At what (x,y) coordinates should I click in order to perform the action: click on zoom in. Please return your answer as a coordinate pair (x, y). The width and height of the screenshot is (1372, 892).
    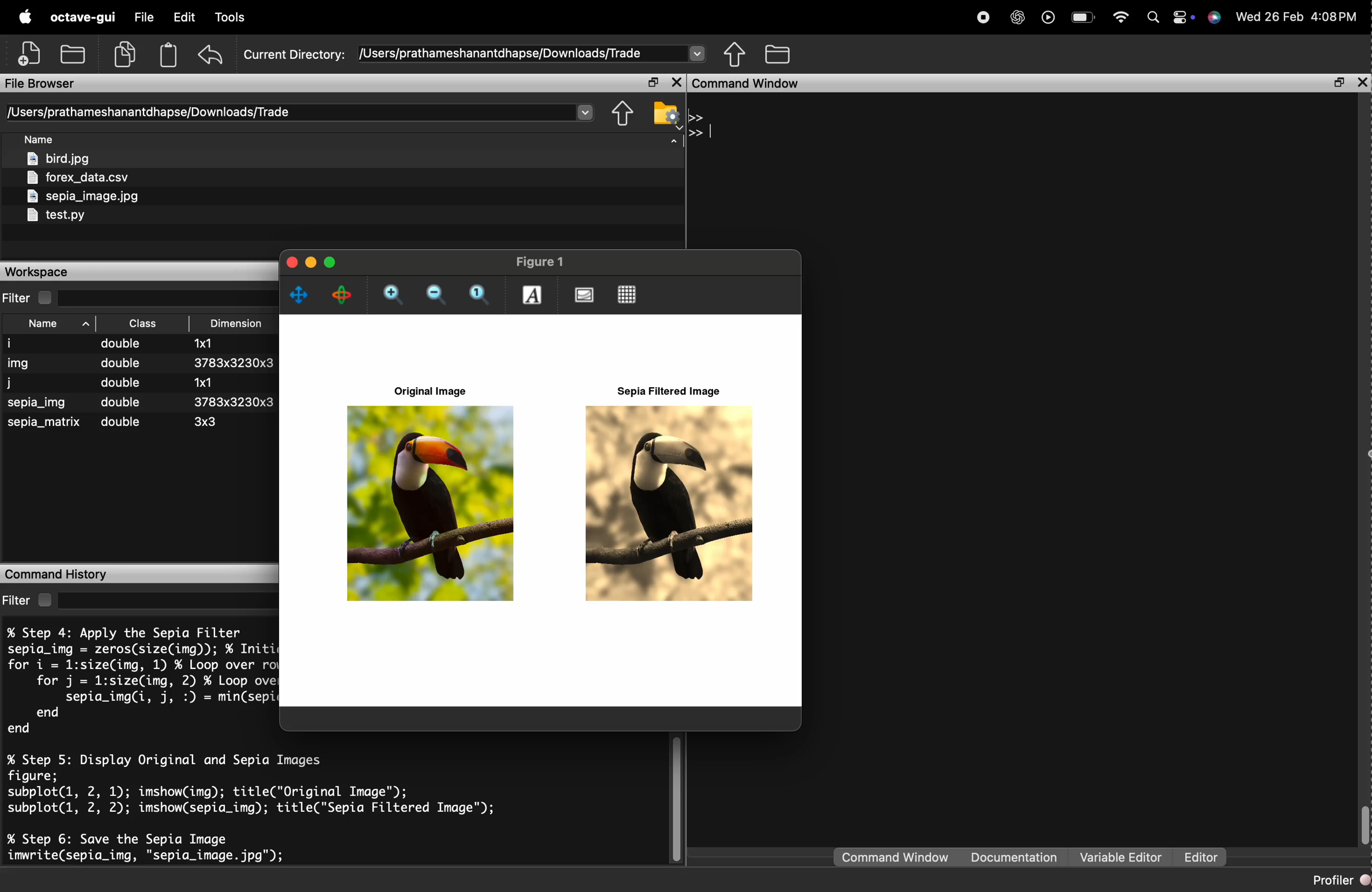
    Looking at the image, I should click on (397, 295).